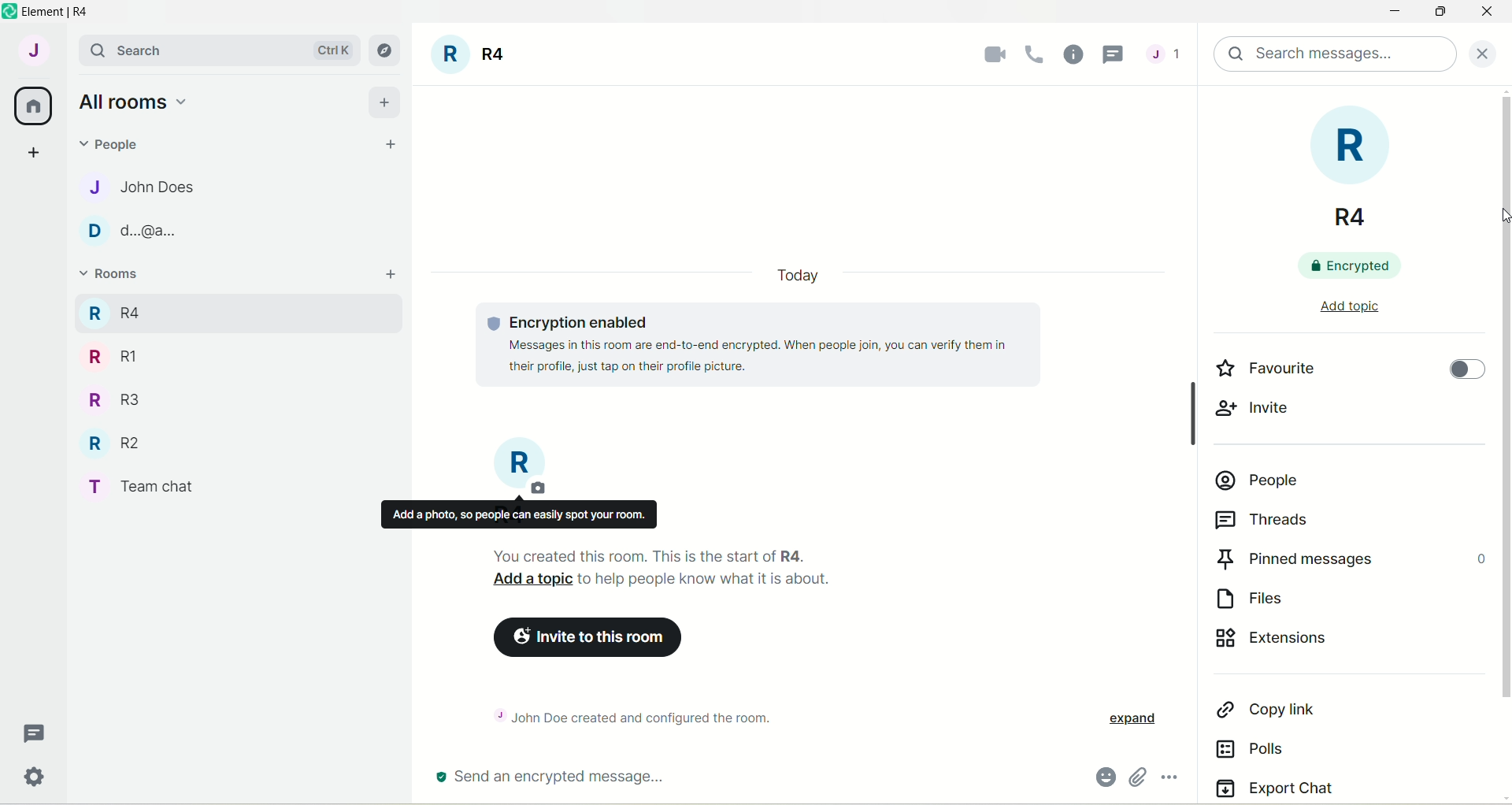 The width and height of the screenshot is (1512, 805). I want to click on threads, so click(1164, 57).